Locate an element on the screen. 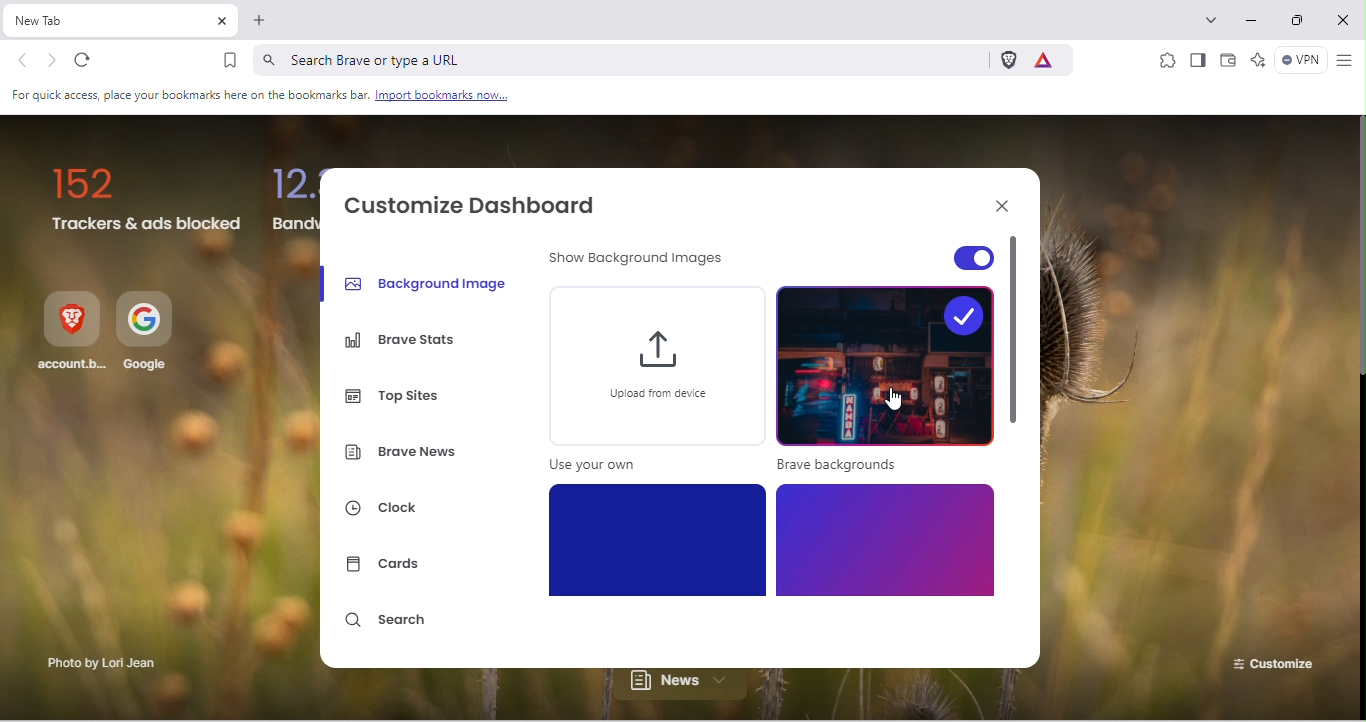 Image resolution: width=1366 pixels, height=722 pixels. Show sidebar is located at coordinates (1197, 61).